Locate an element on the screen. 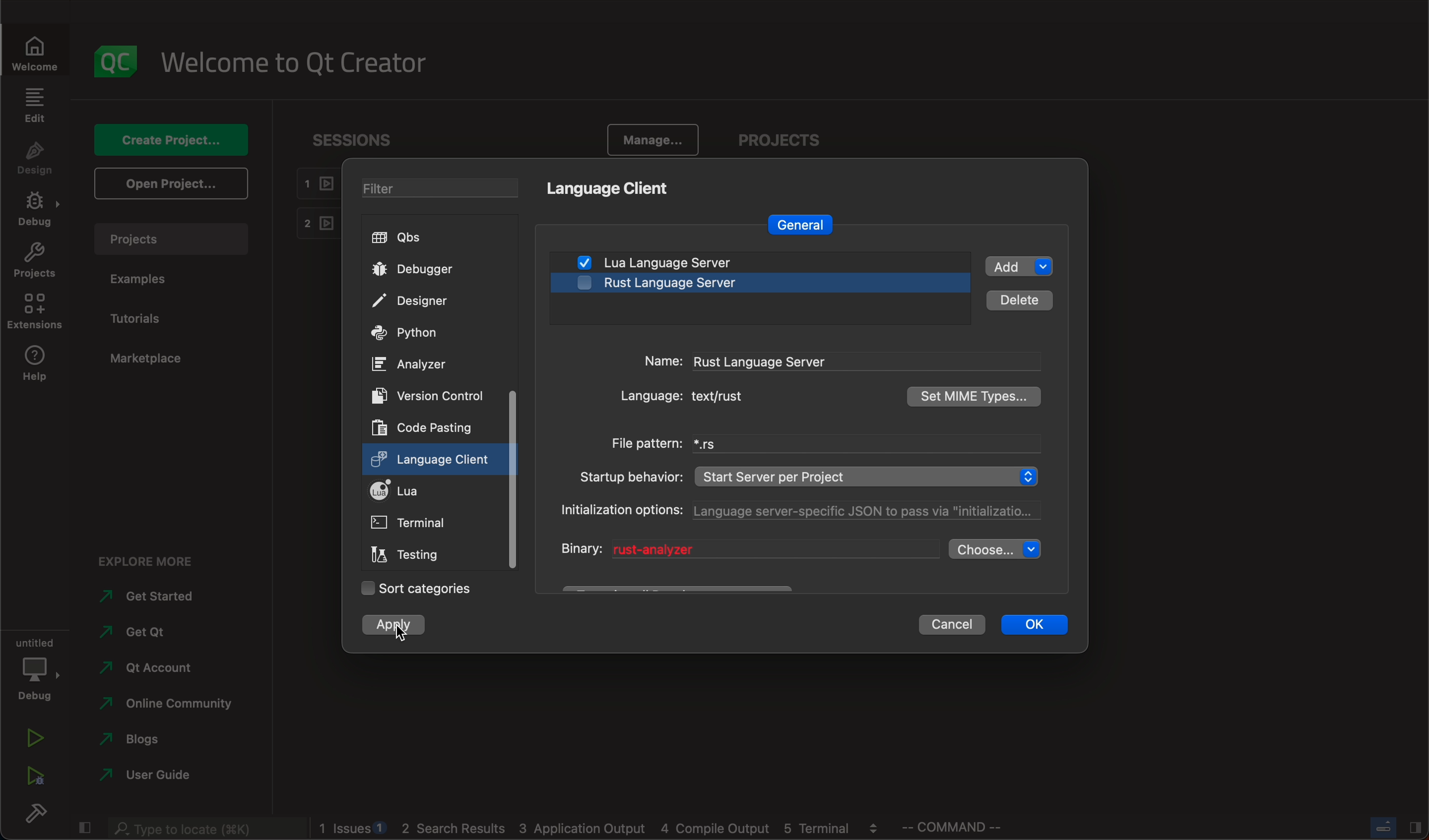 This screenshot has height=840, width=1429. filters is located at coordinates (441, 188).